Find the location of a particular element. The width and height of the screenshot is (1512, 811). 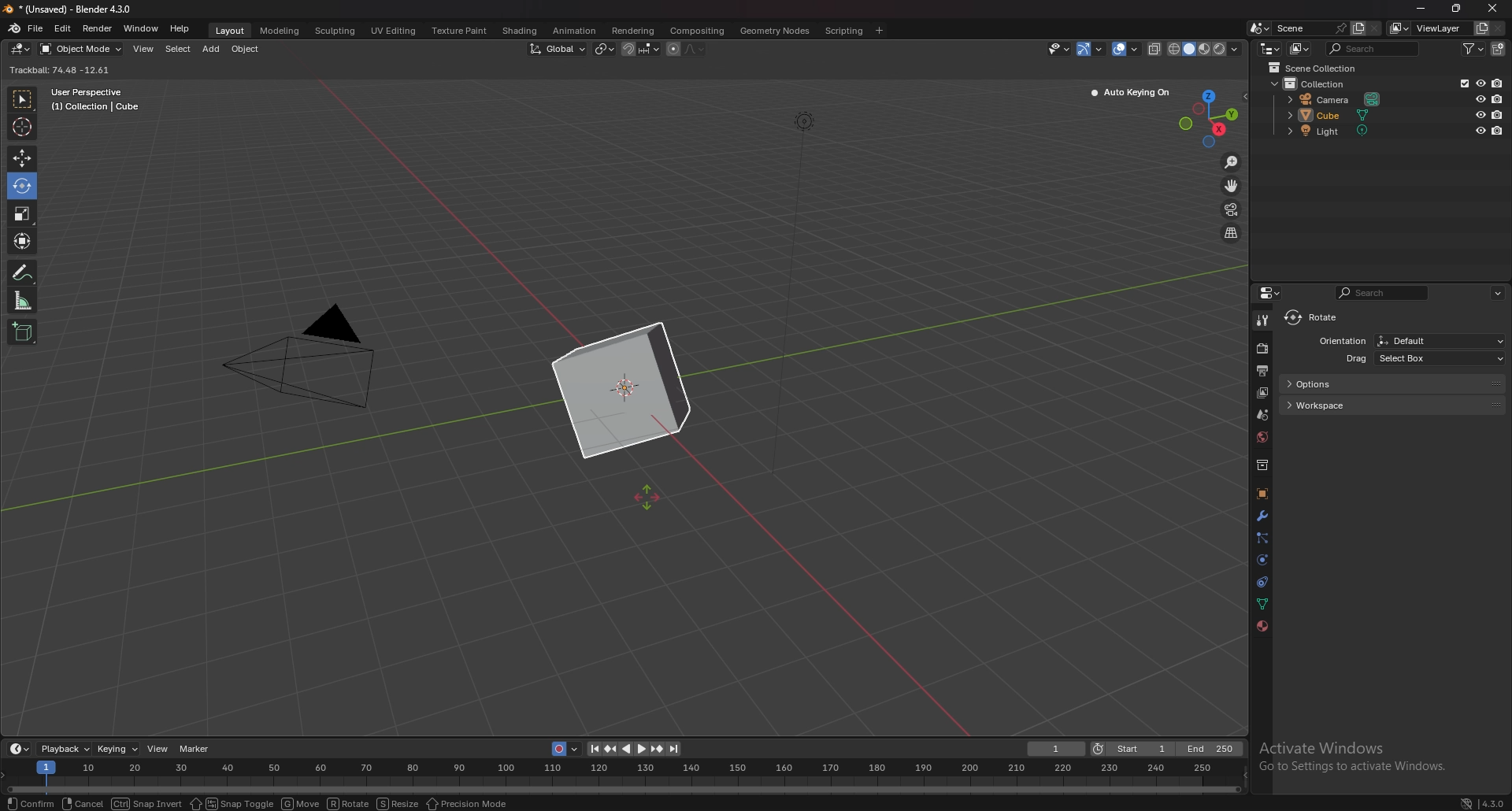

Trackball: 74.48 -12.61 is located at coordinates (64, 70).